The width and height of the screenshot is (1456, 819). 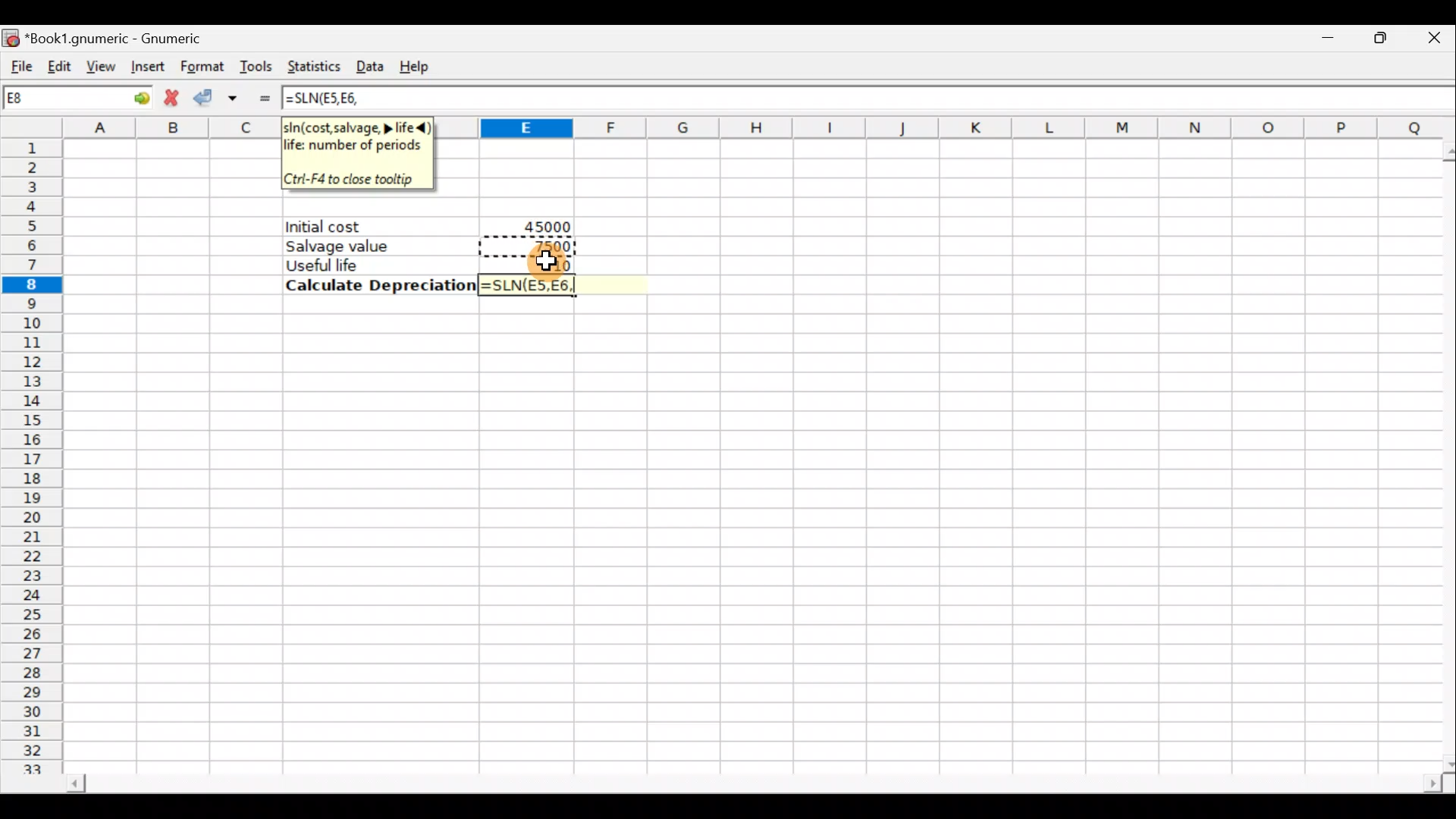 What do you see at coordinates (36, 458) in the screenshot?
I see `Rows` at bounding box center [36, 458].